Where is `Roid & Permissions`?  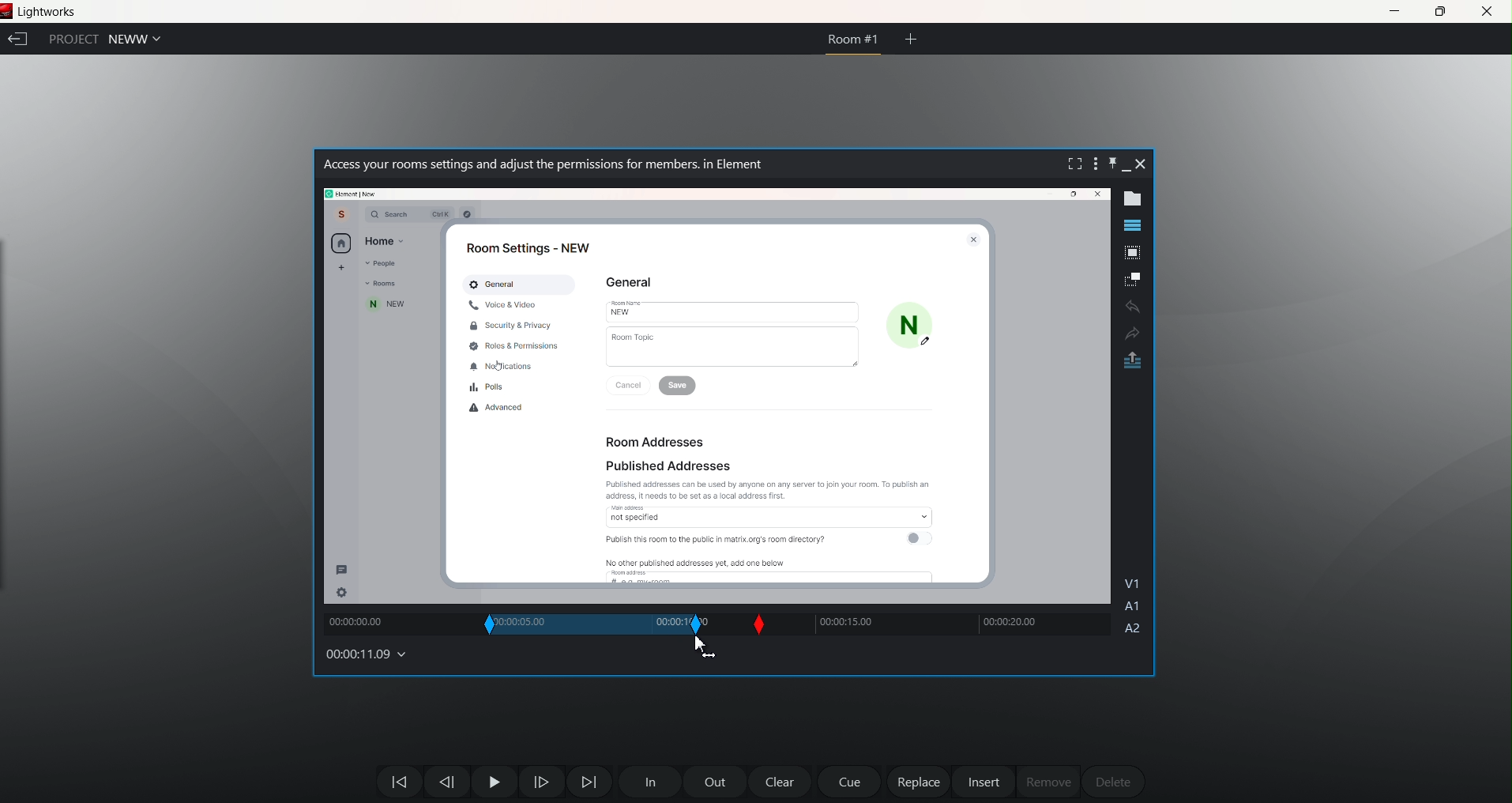
Roid & Permissions is located at coordinates (517, 345).